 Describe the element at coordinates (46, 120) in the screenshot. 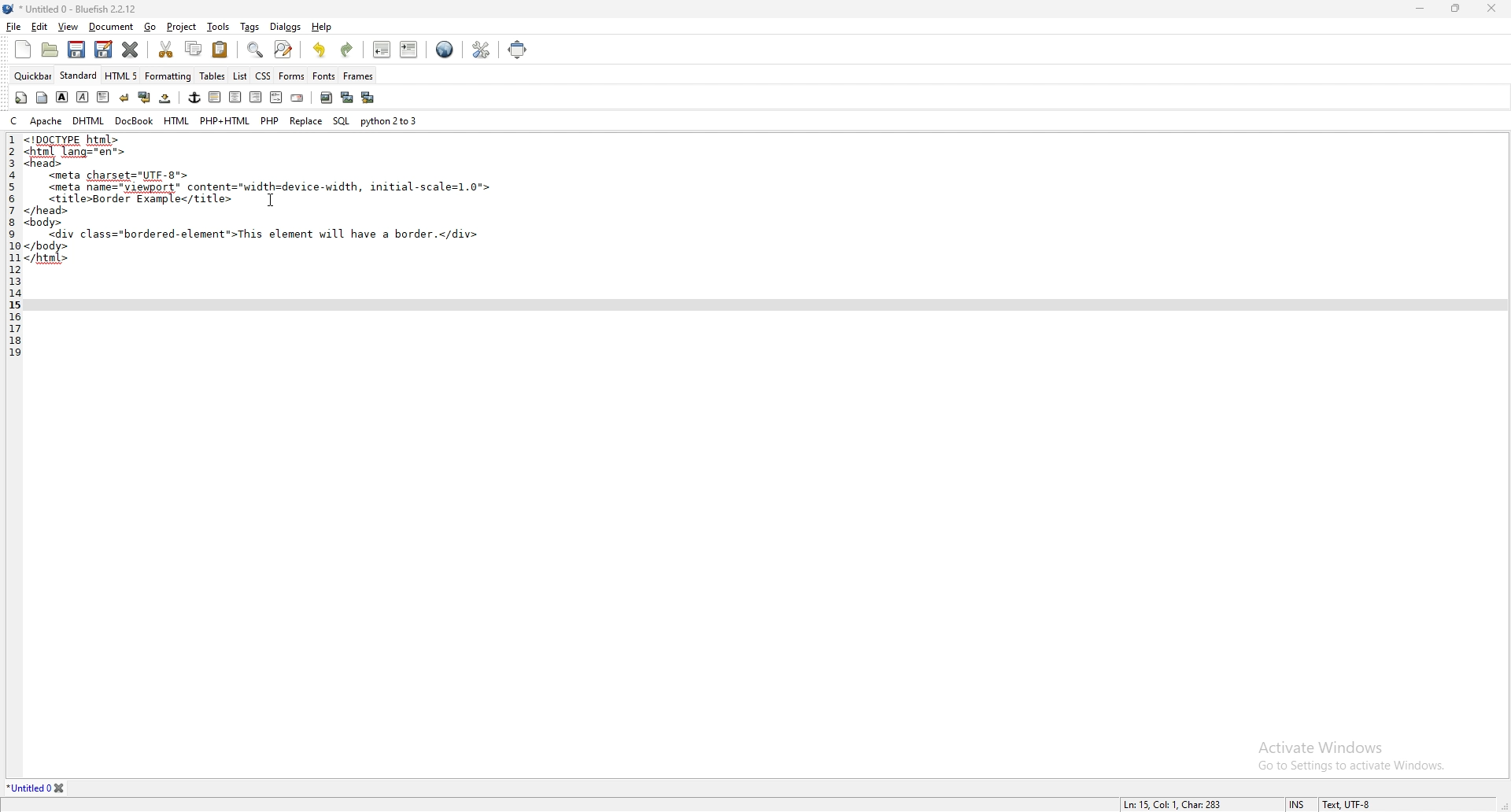

I see `apache` at that location.